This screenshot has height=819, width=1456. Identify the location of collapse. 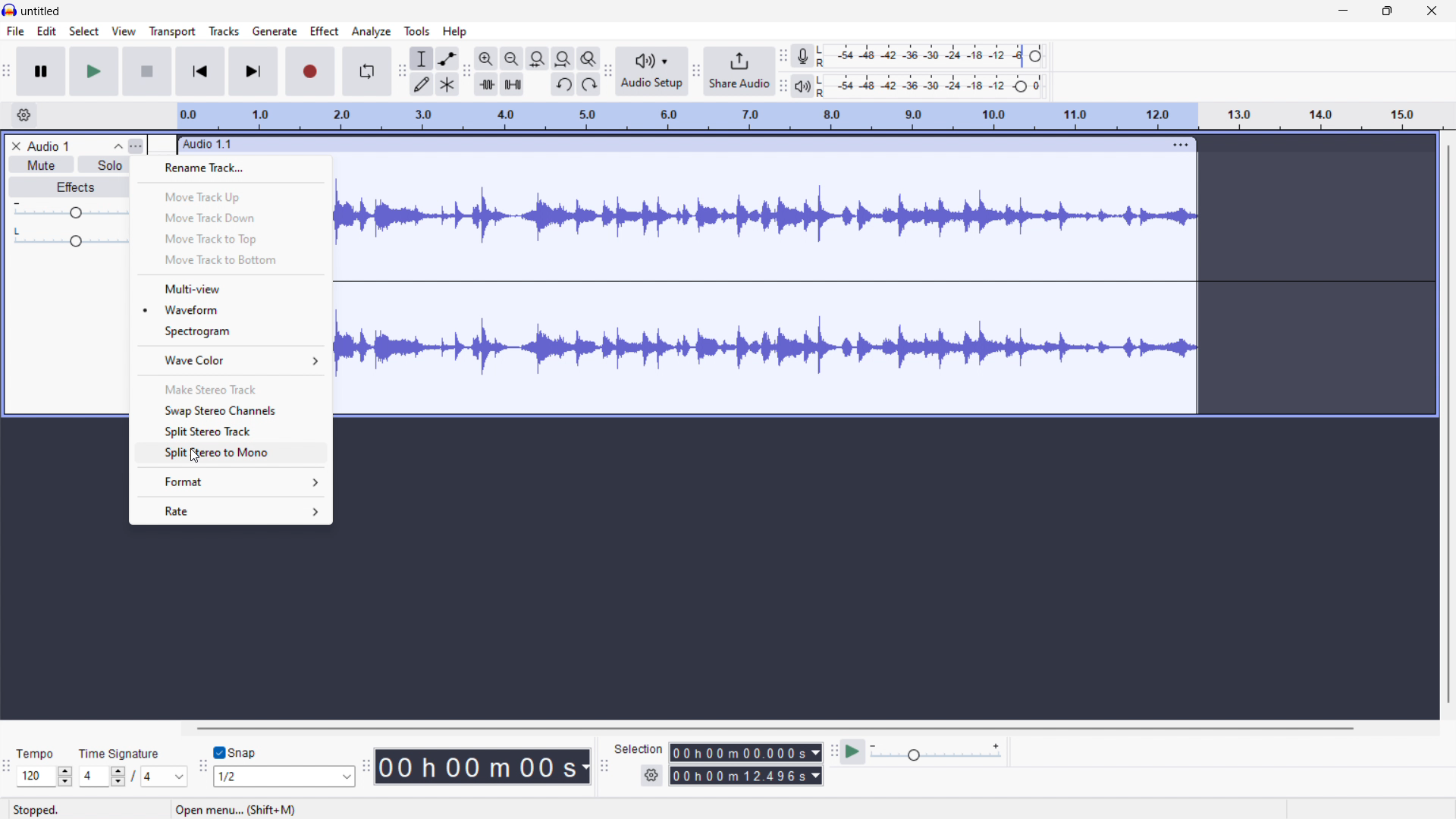
(118, 146).